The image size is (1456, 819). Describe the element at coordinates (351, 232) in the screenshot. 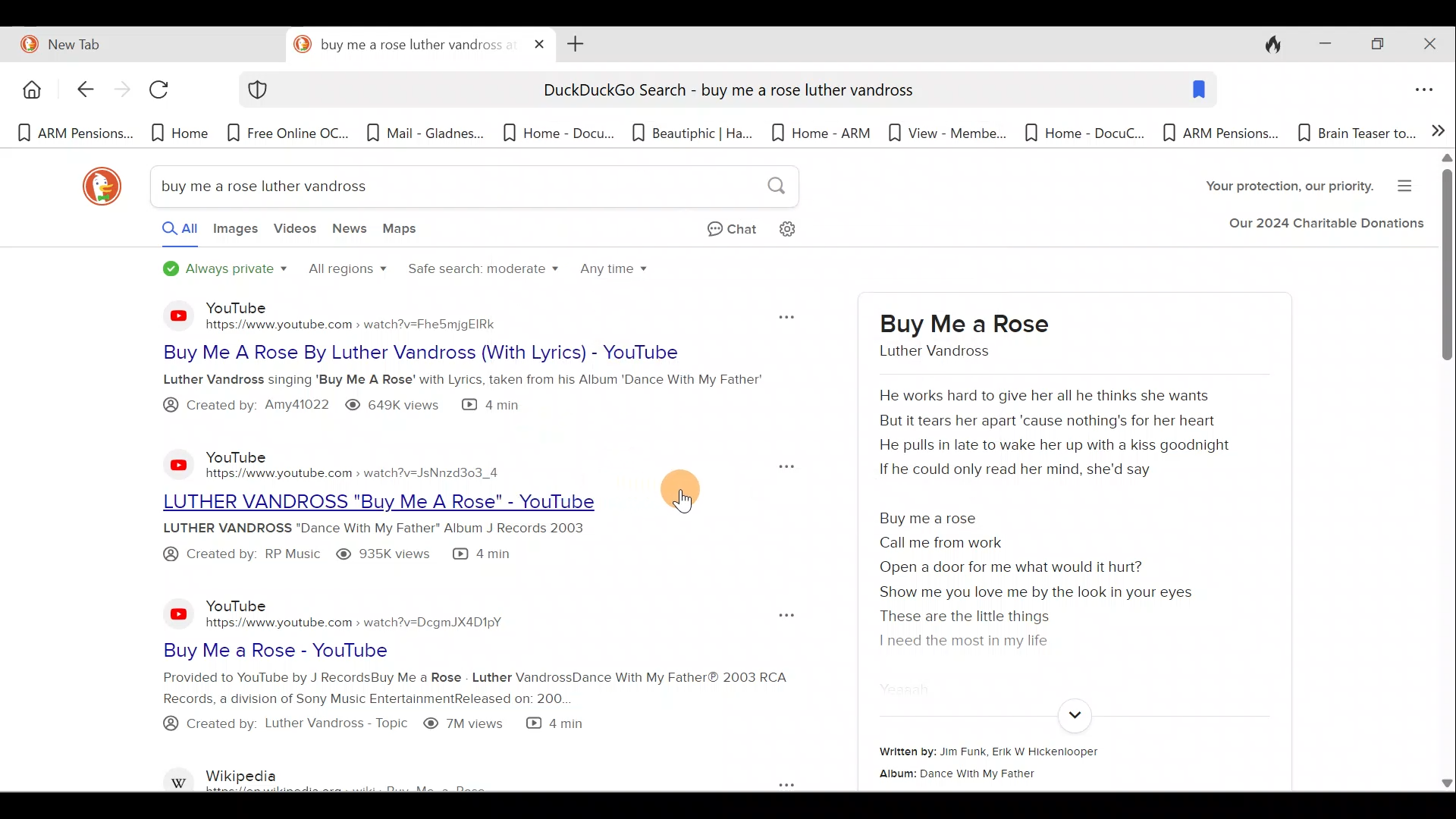

I see `News` at that location.